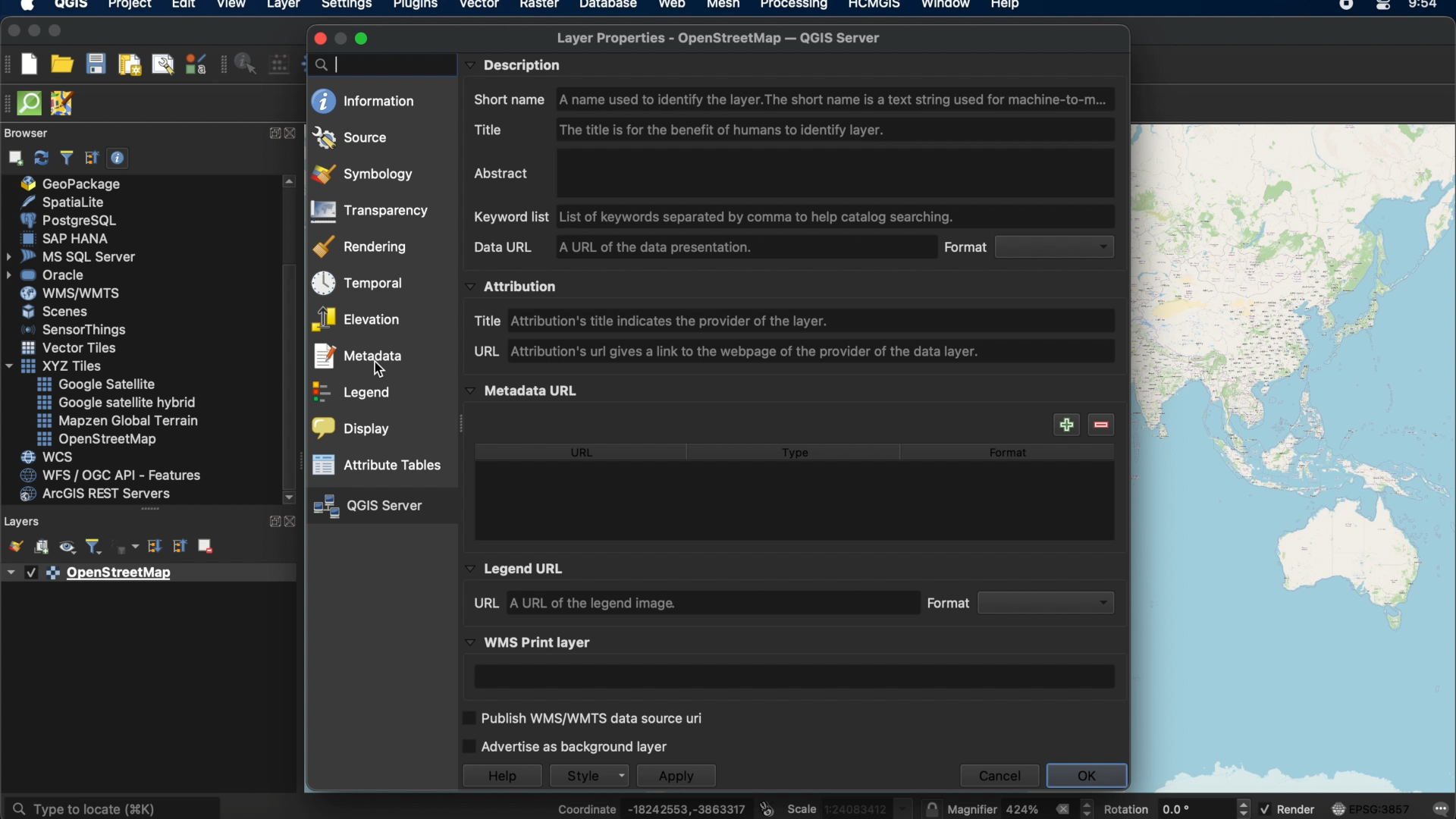  Describe the element at coordinates (281, 8) in the screenshot. I see `LAYER` at that location.